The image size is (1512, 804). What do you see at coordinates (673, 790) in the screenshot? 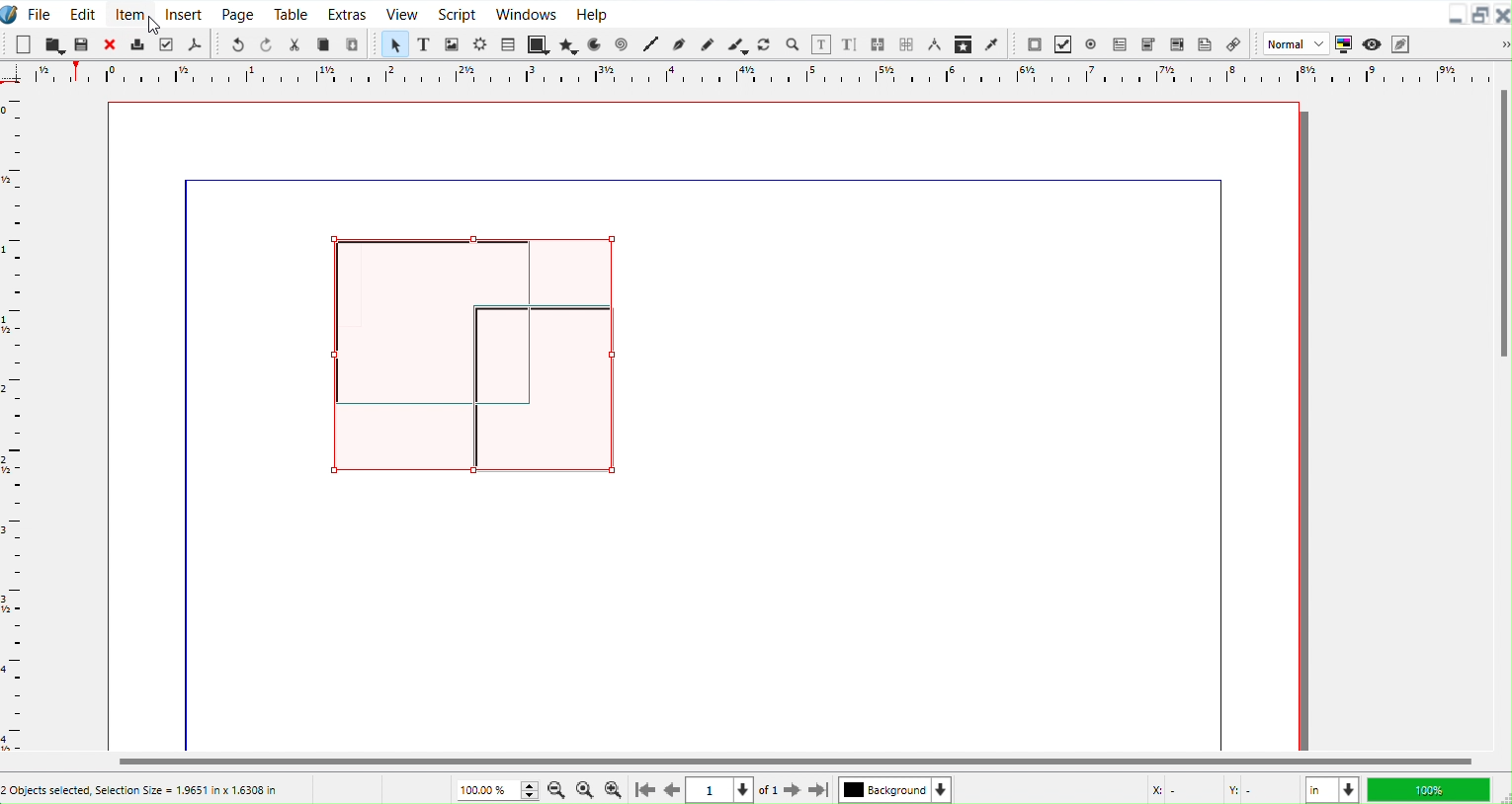
I see `Go to previous Page` at bounding box center [673, 790].